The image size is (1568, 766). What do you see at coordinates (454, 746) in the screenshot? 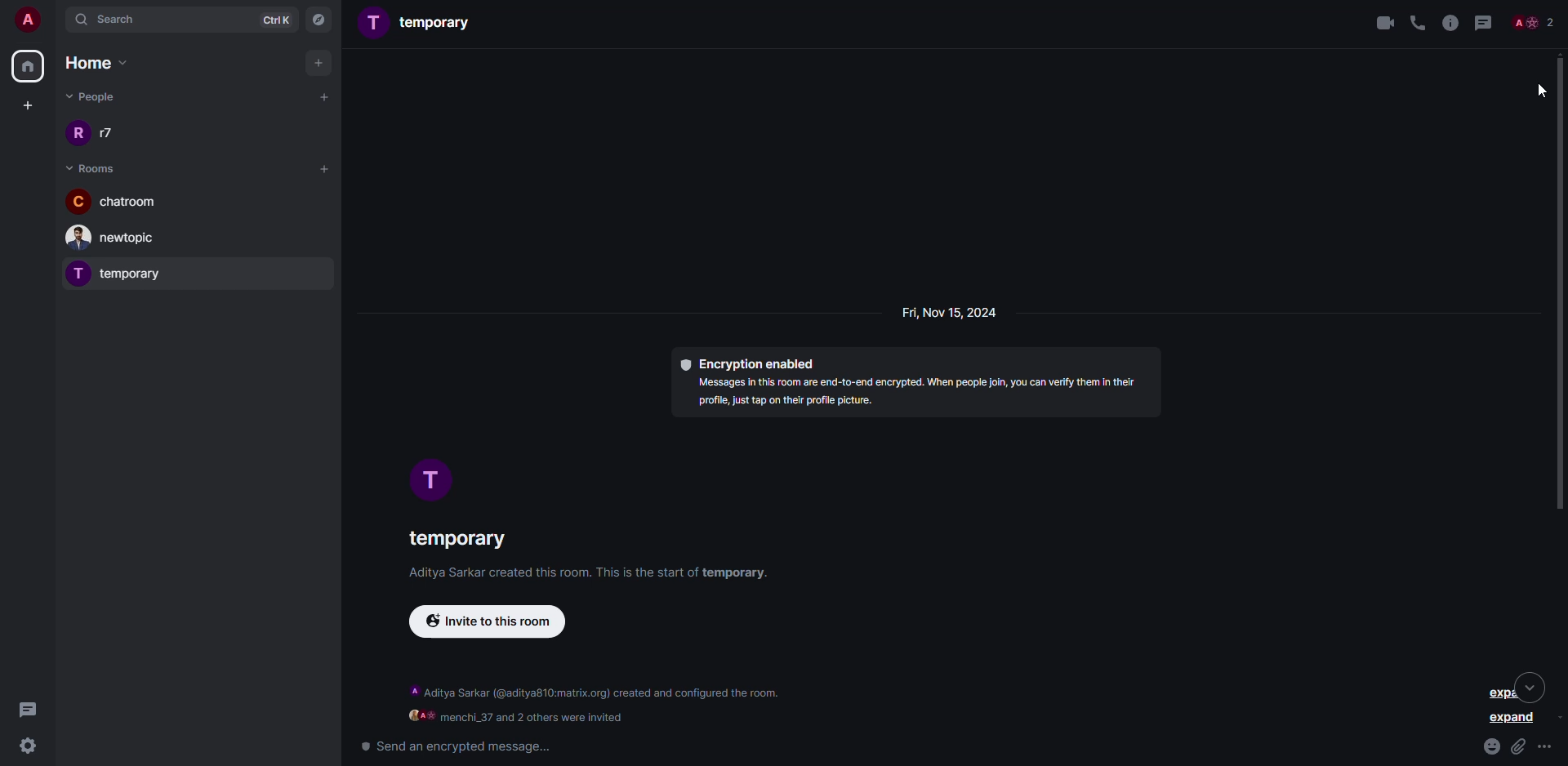
I see `send an encrypted message` at bounding box center [454, 746].